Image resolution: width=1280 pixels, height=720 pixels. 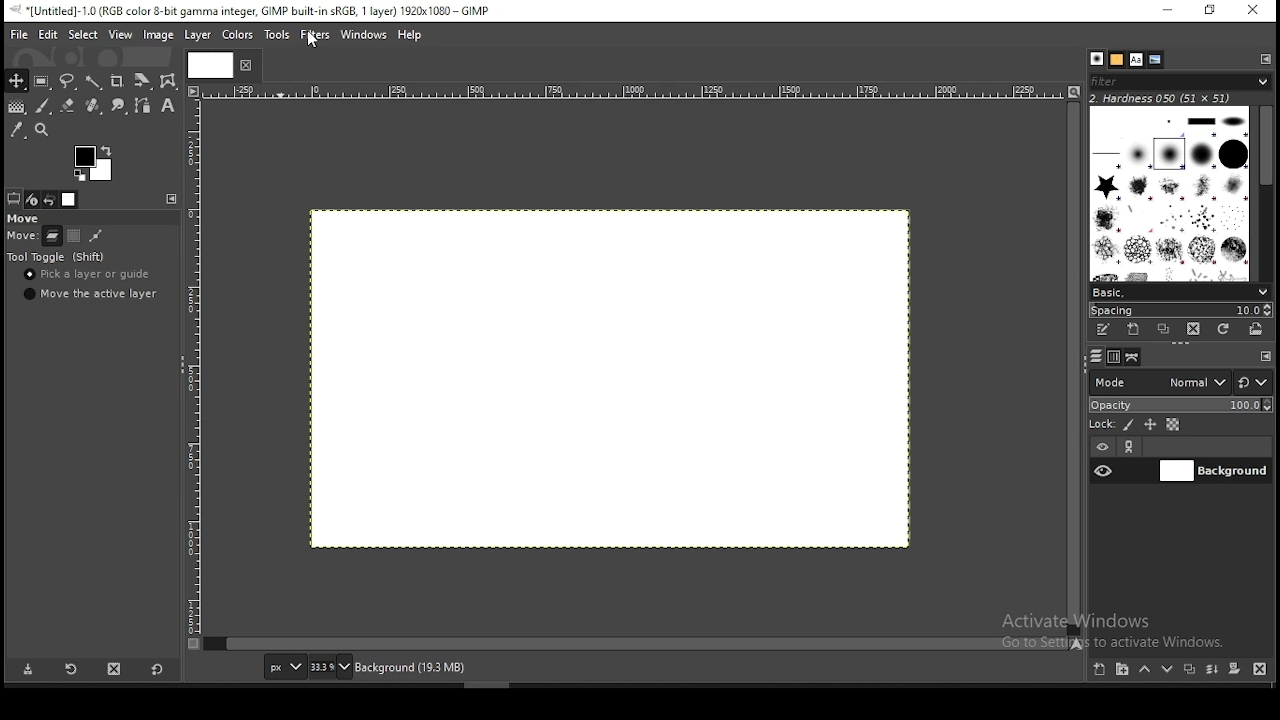 What do you see at coordinates (173, 199) in the screenshot?
I see `cinfigure this tab` at bounding box center [173, 199].